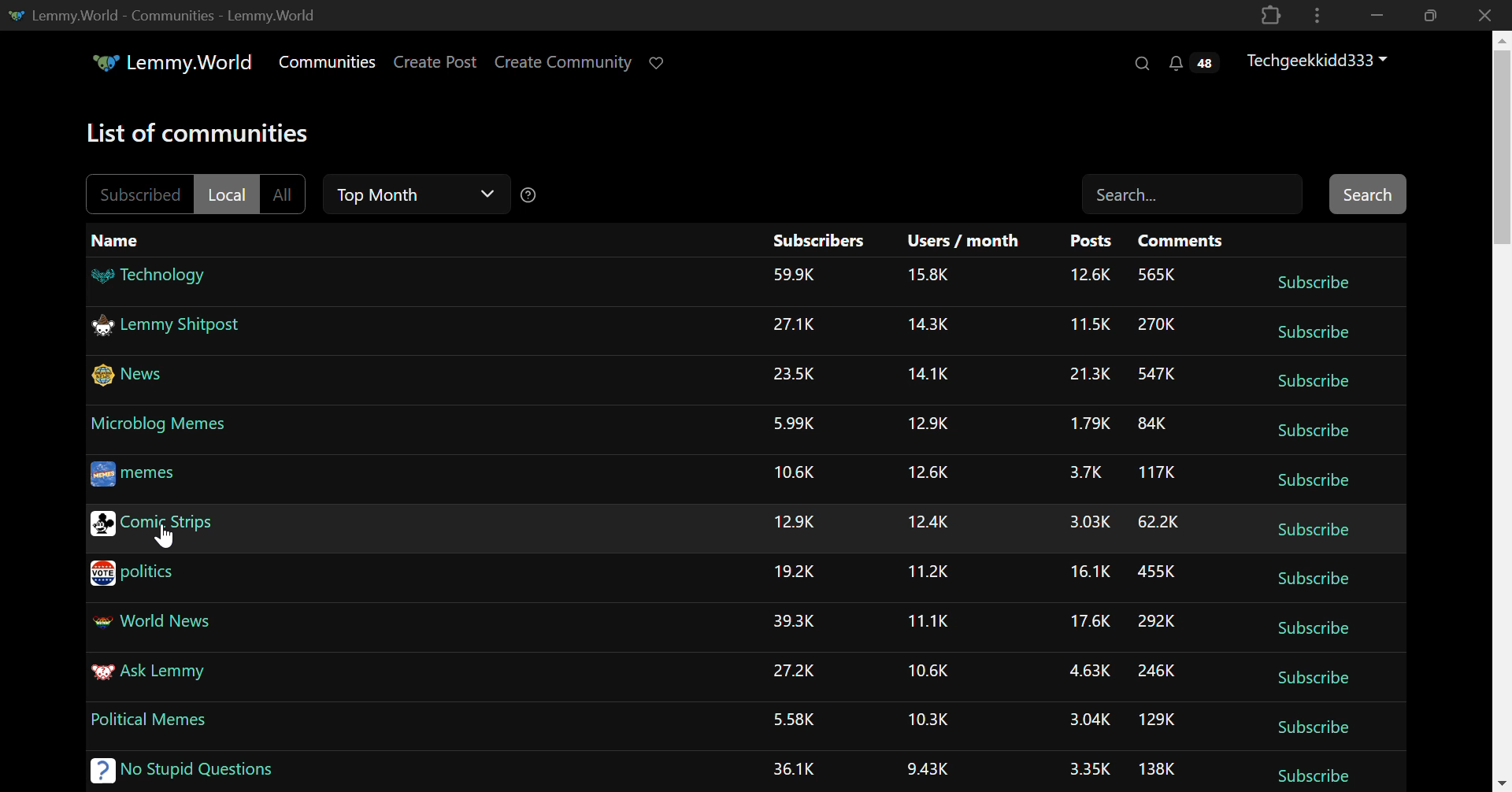  I want to click on Name, so click(136, 242).